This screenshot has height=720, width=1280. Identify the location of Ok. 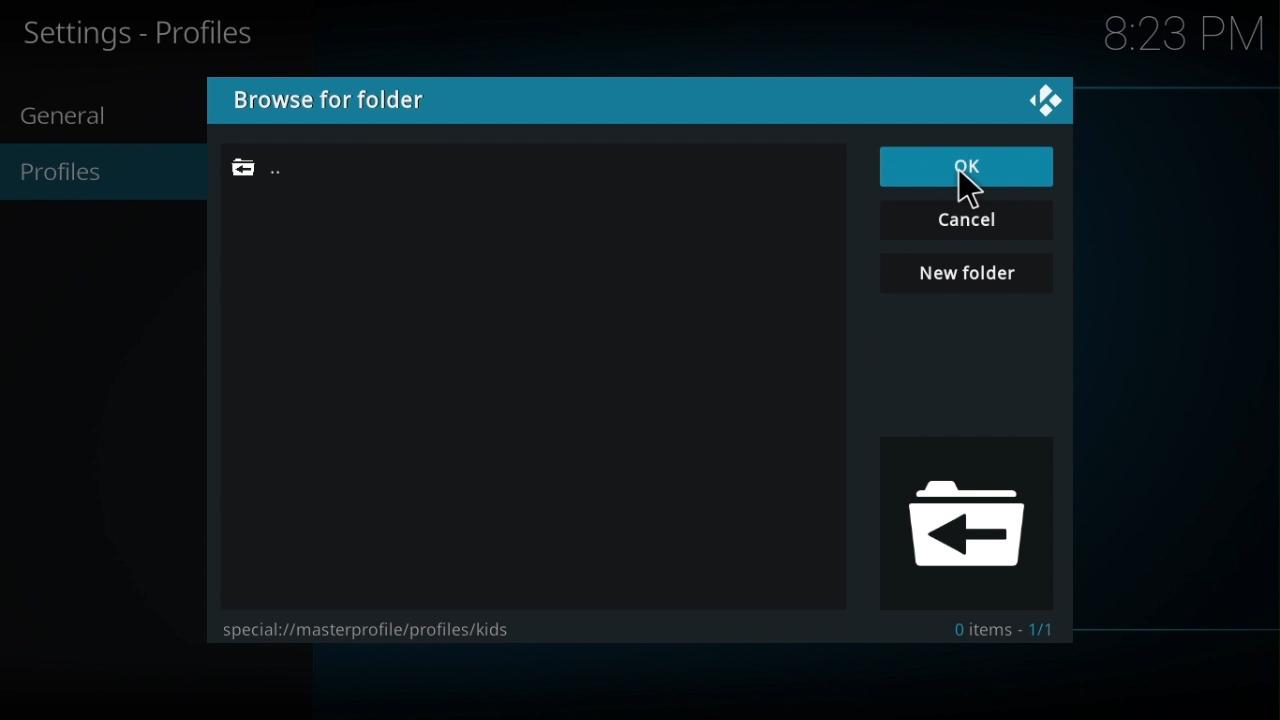
(966, 167).